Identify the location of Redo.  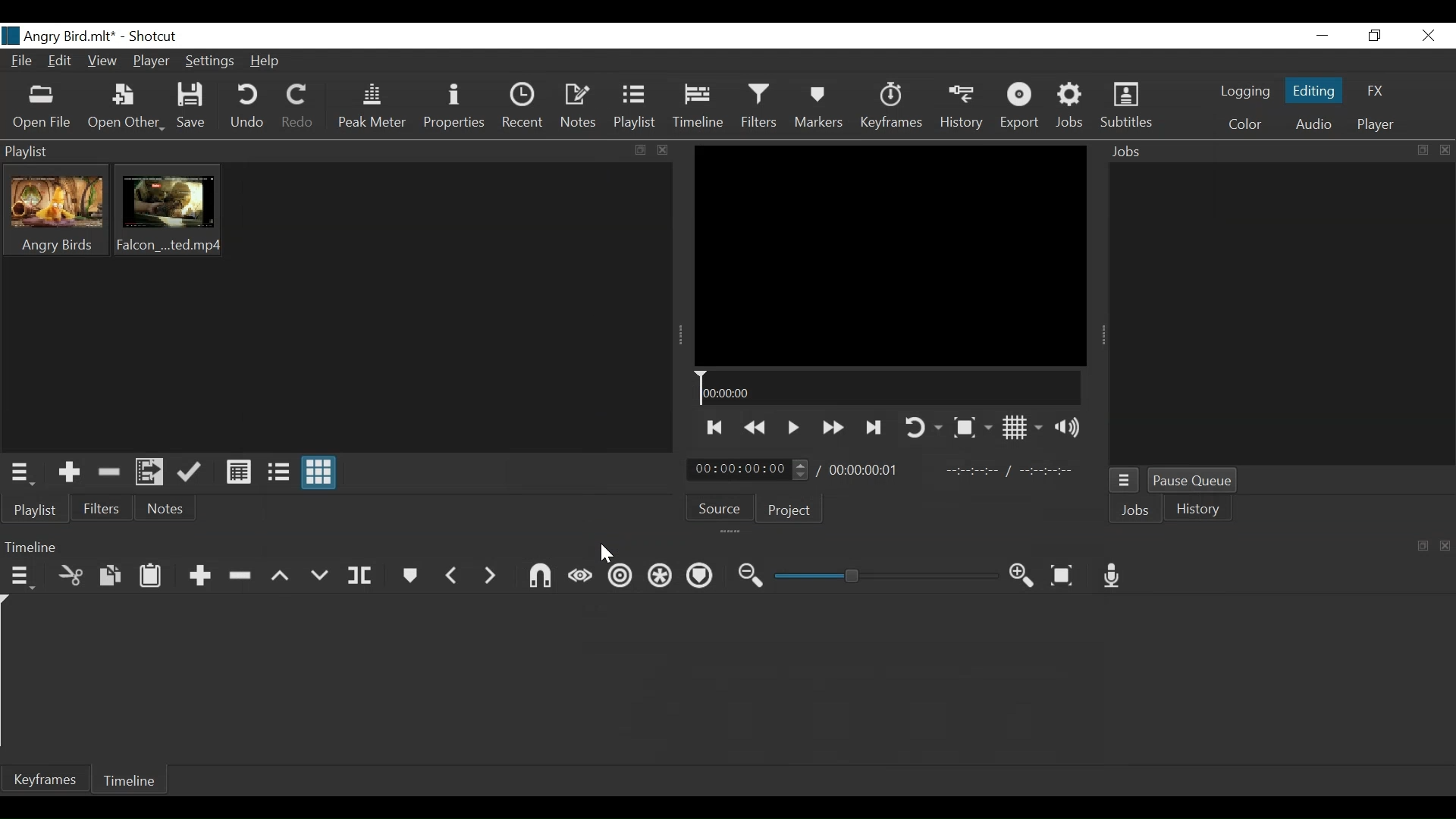
(299, 107).